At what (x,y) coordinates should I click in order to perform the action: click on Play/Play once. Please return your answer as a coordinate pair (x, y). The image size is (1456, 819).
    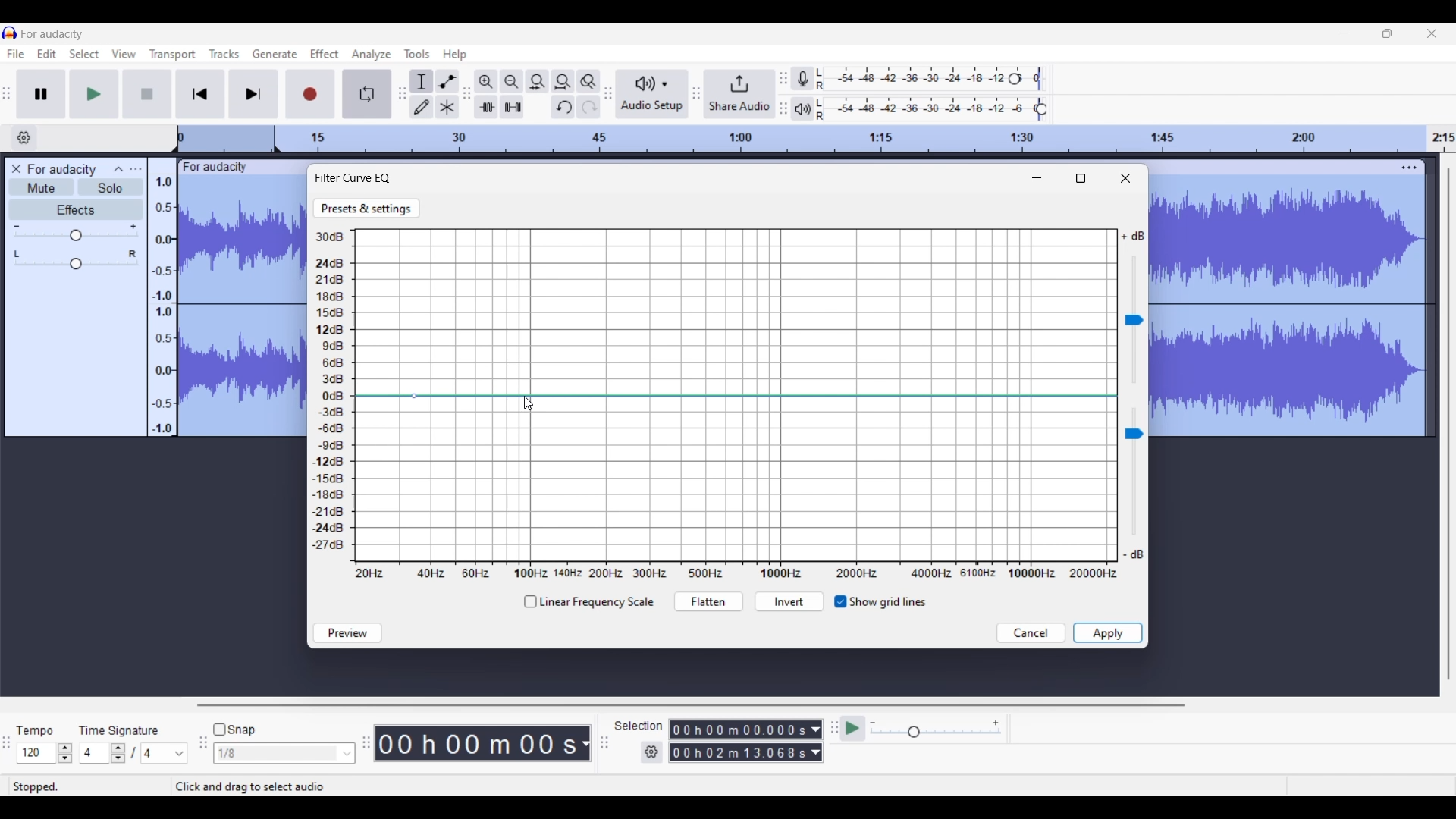
    Looking at the image, I should click on (93, 94).